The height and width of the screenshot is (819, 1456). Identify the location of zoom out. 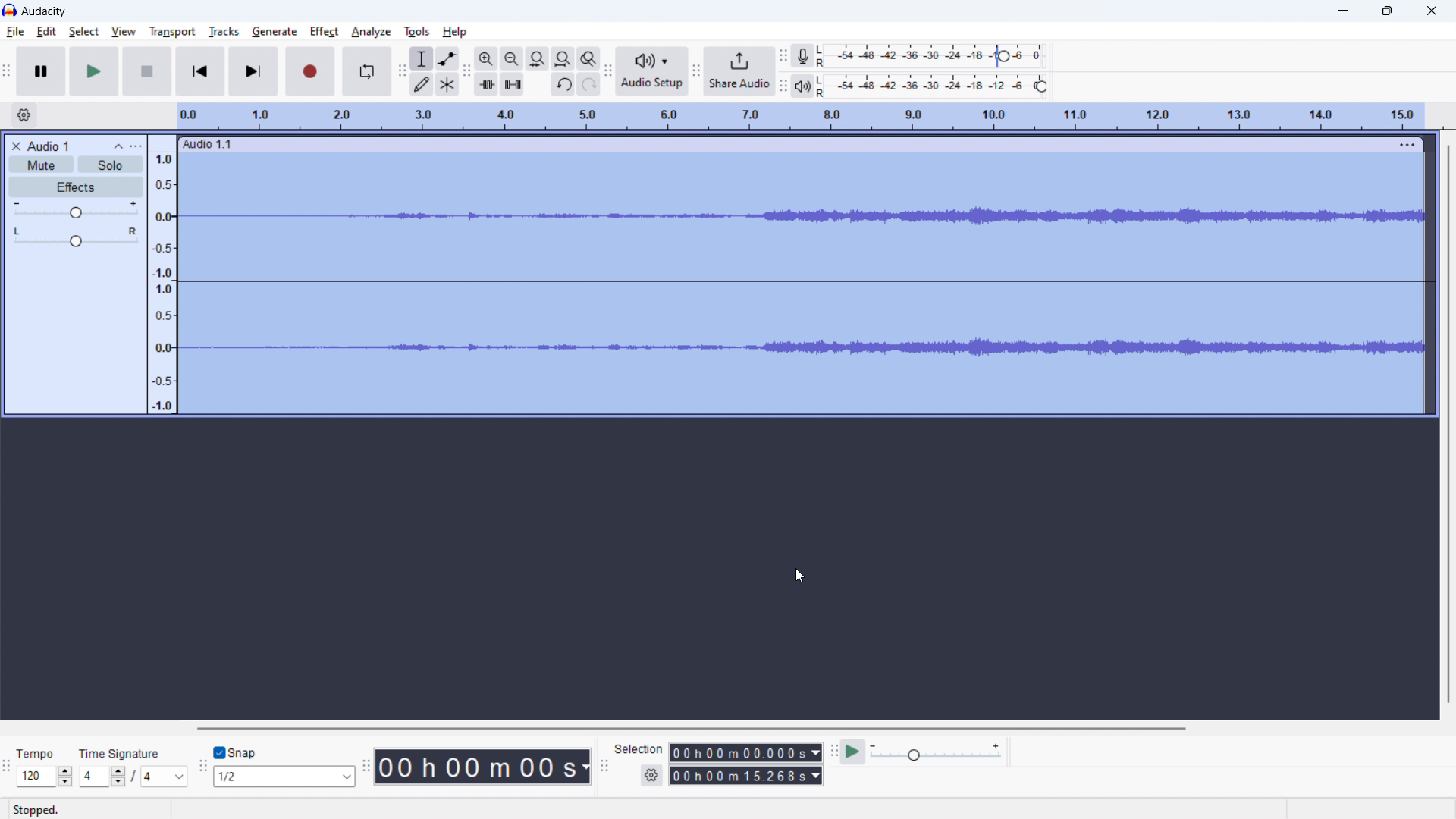
(511, 58).